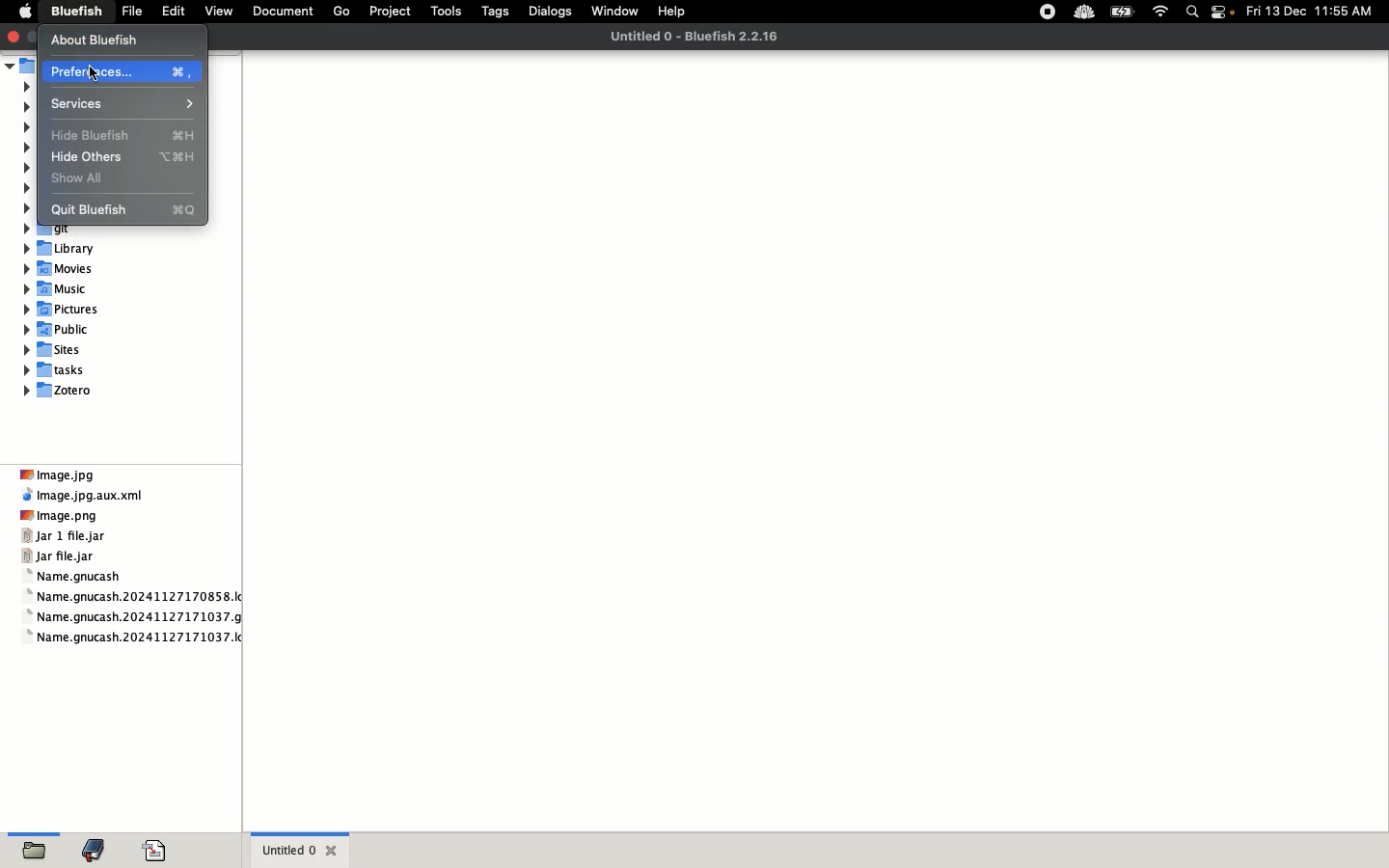 The width and height of the screenshot is (1389, 868). Describe the element at coordinates (1193, 14) in the screenshot. I see `Search` at that location.